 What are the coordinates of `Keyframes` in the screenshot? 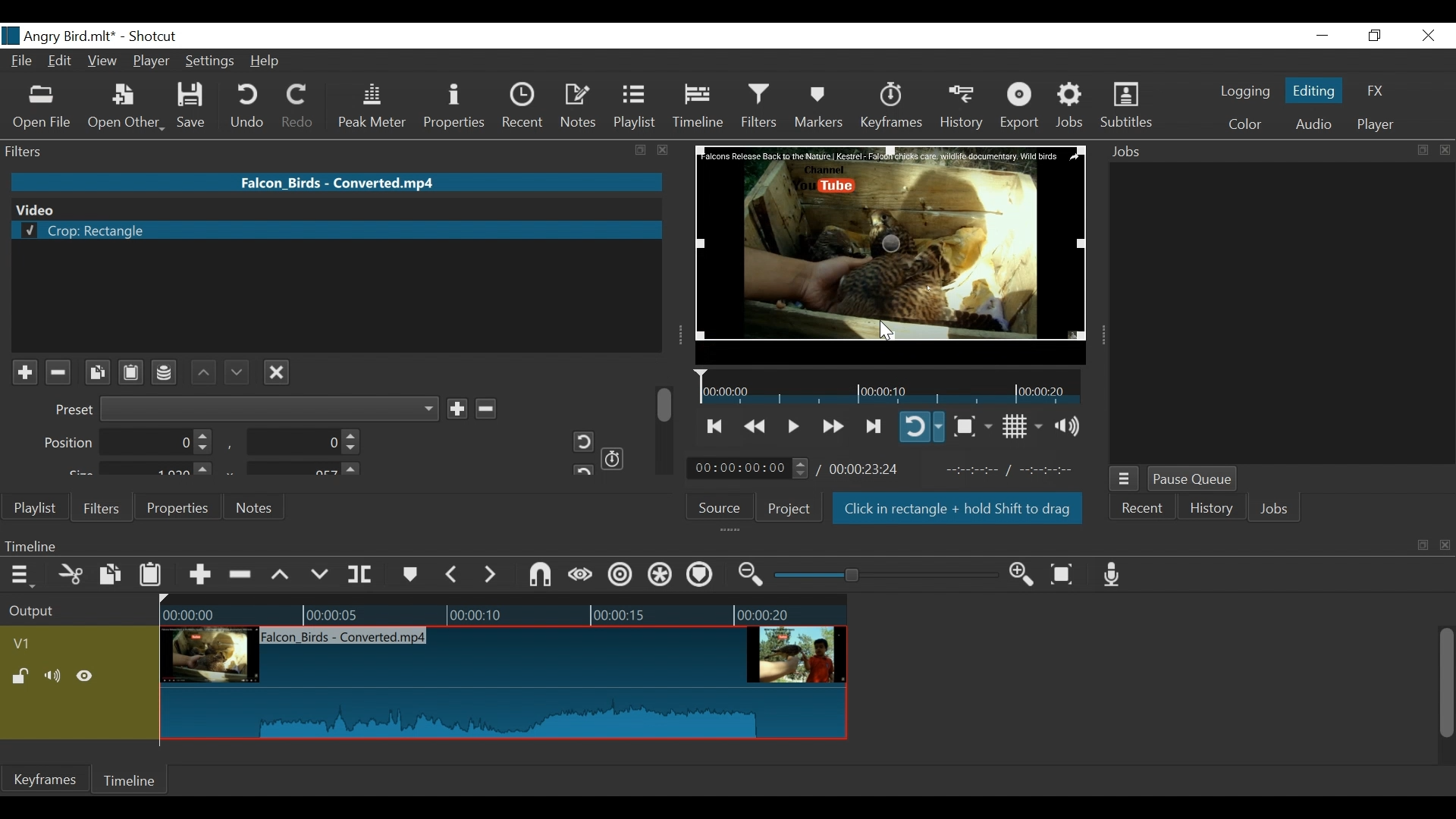 It's located at (890, 106).